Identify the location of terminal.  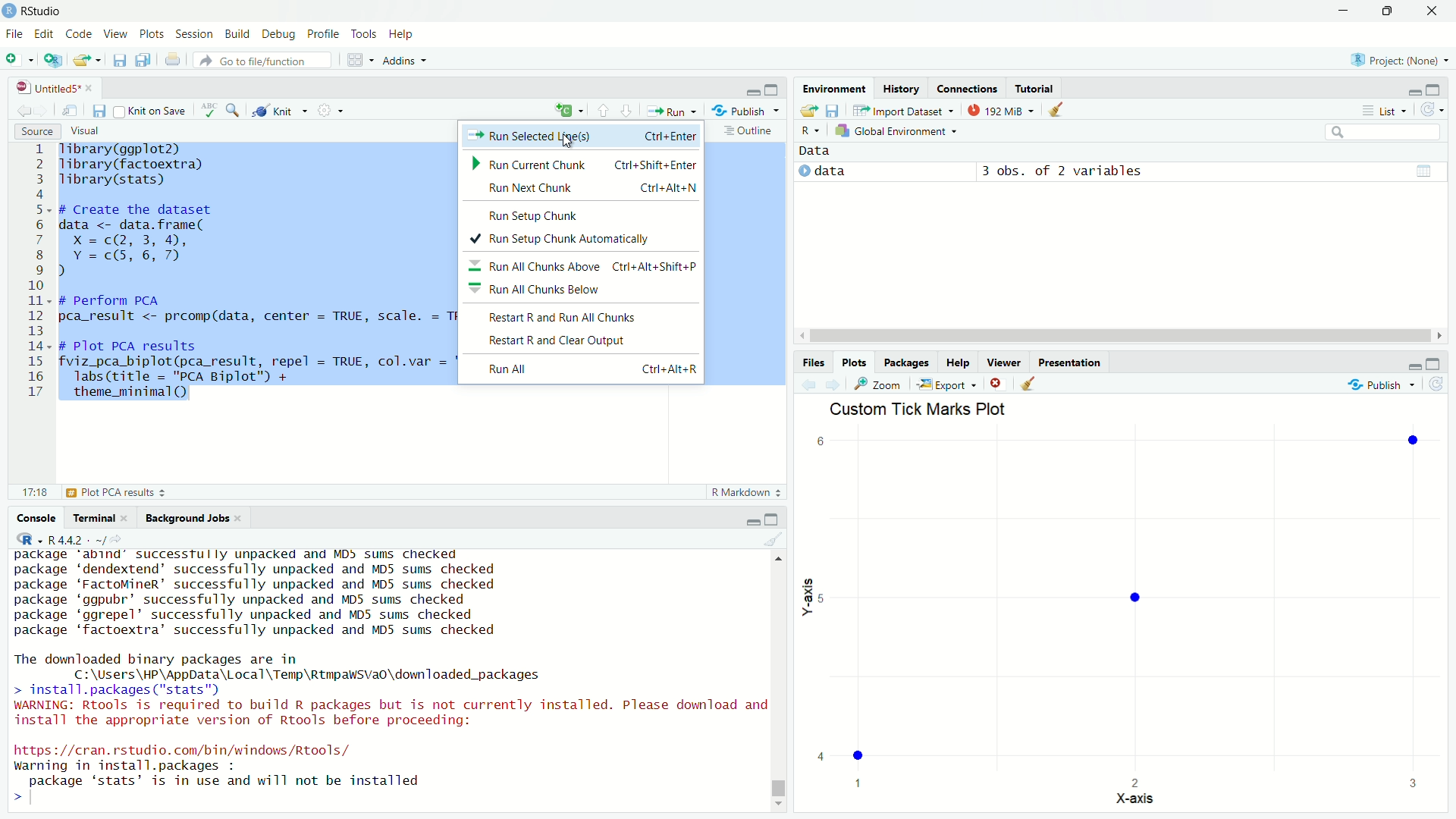
(100, 518).